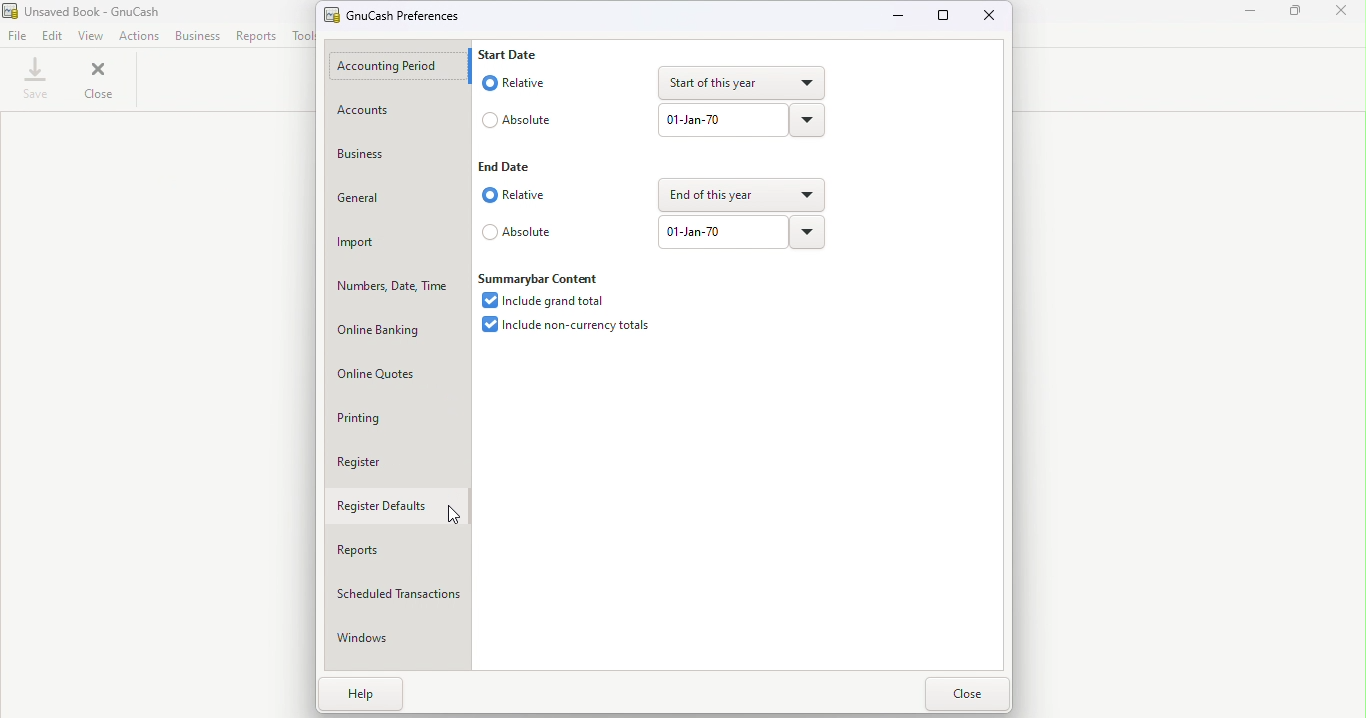  What do you see at coordinates (356, 696) in the screenshot?
I see `help` at bounding box center [356, 696].